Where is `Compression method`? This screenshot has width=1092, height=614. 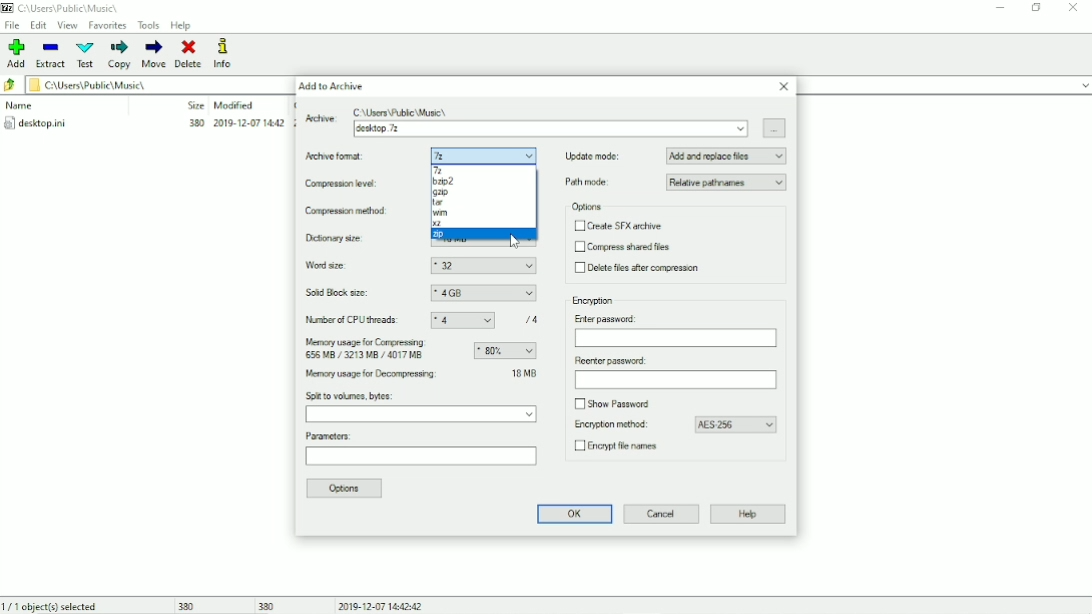 Compression method is located at coordinates (354, 212).